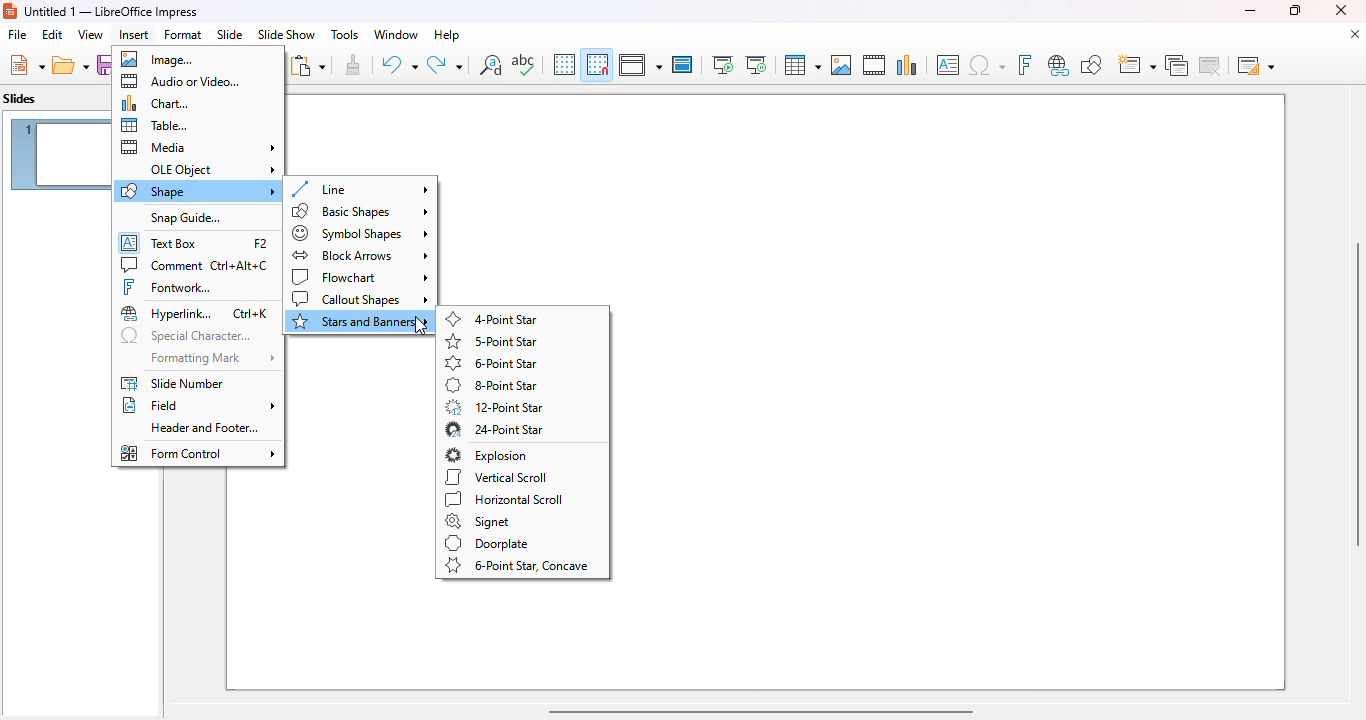 Image resolution: width=1366 pixels, height=720 pixels. Describe the element at coordinates (445, 65) in the screenshot. I see `redo` at that location.